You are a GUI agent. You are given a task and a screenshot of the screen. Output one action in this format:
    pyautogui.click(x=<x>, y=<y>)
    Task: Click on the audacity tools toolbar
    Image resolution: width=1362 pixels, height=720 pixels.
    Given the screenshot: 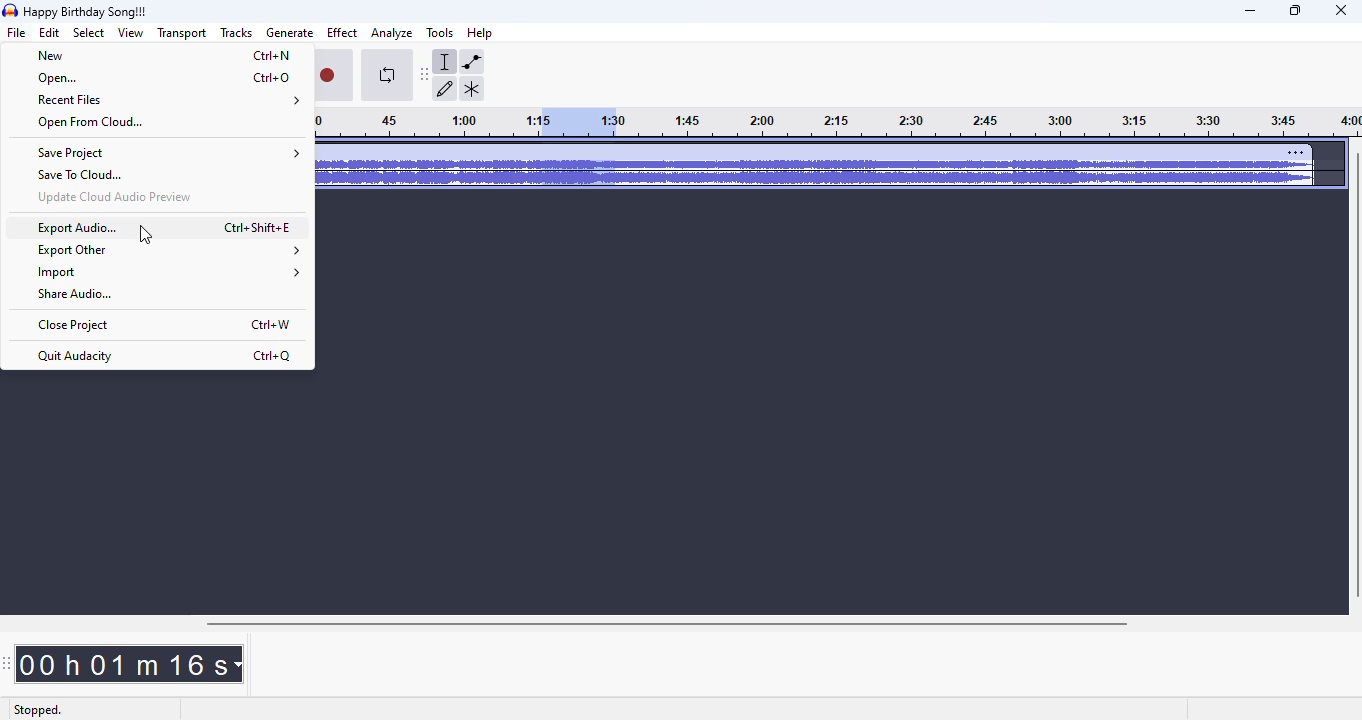 What is the action you would take?
    pyautogui.click(x=424, y=75)
    